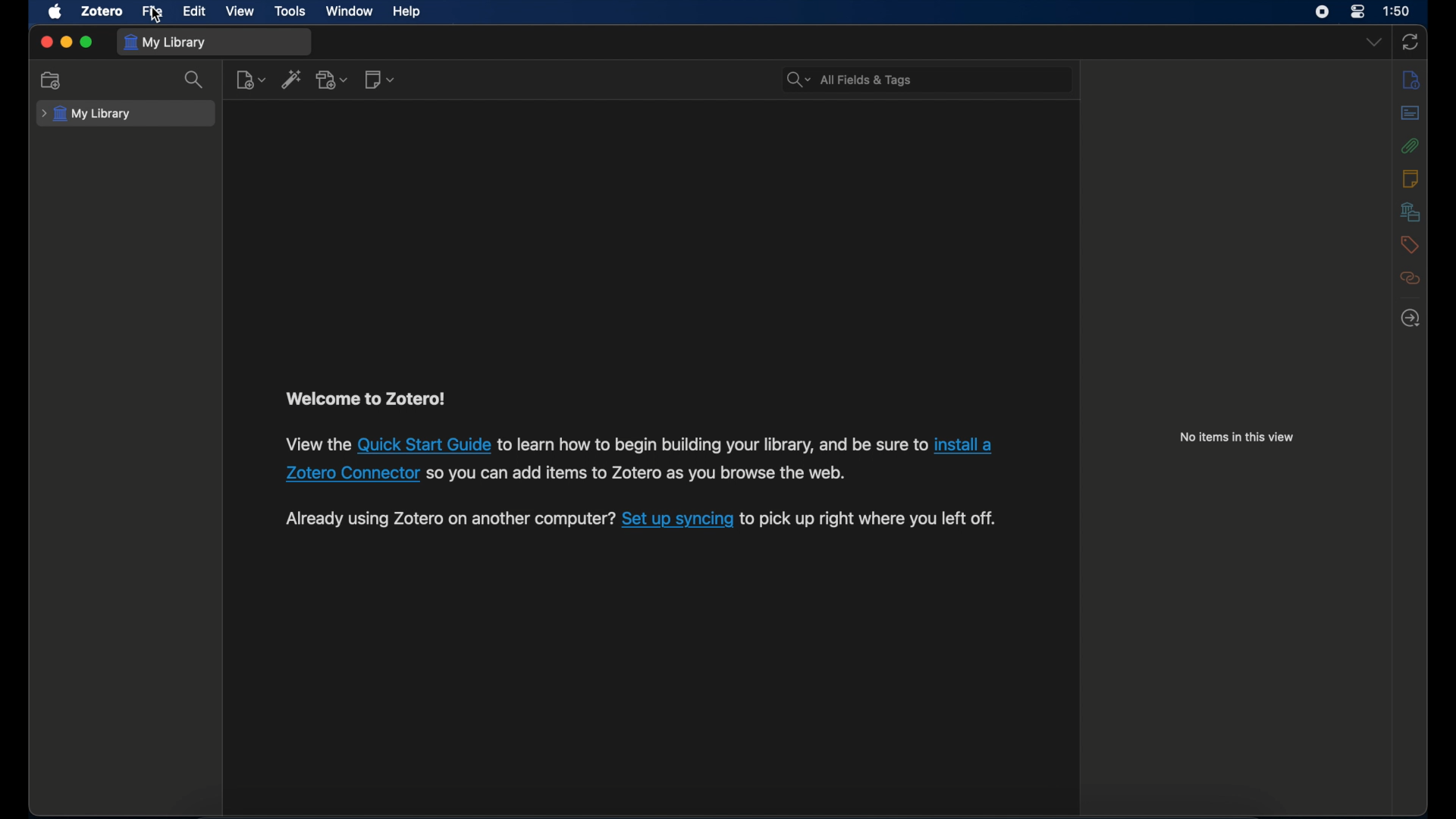 This screenshot has width=1456, height=819. I want to click on no items in this view, so click(1238, 437).